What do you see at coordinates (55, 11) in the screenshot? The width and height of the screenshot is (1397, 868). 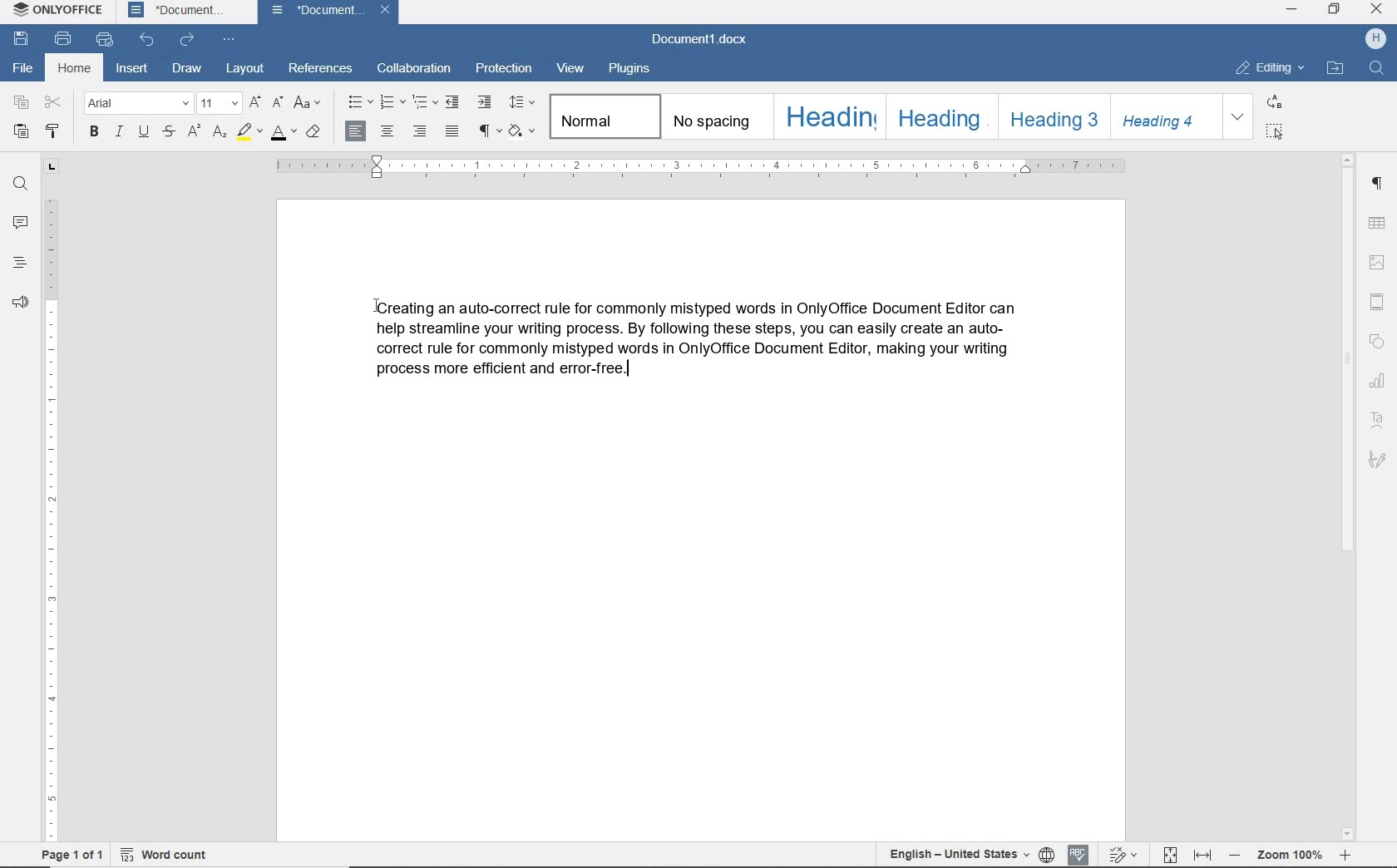 I see `system name` at bounding box center [55, 11].